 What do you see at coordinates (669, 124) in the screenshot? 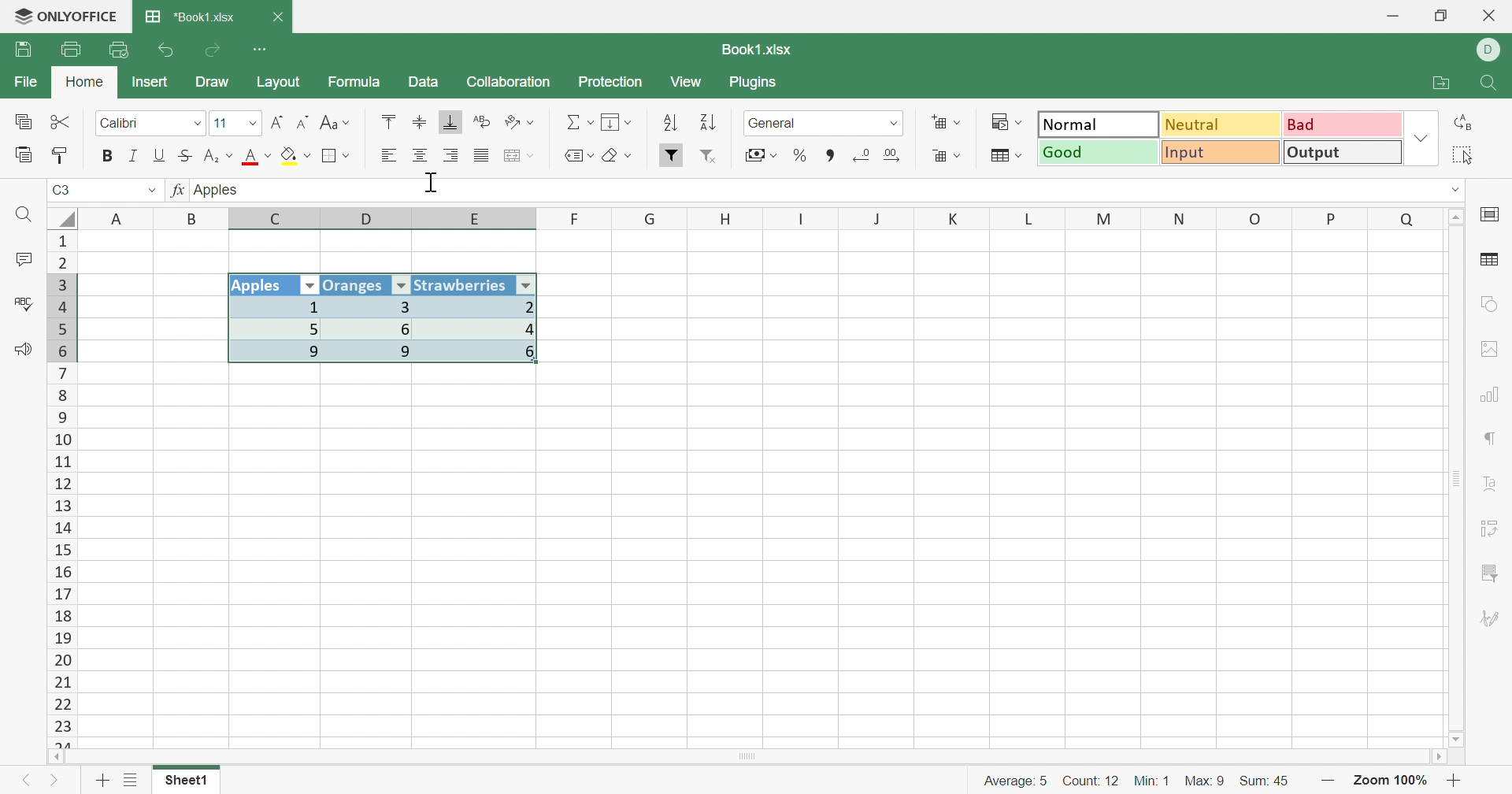
I see `Ascending order` at bounding box center [669, 124].